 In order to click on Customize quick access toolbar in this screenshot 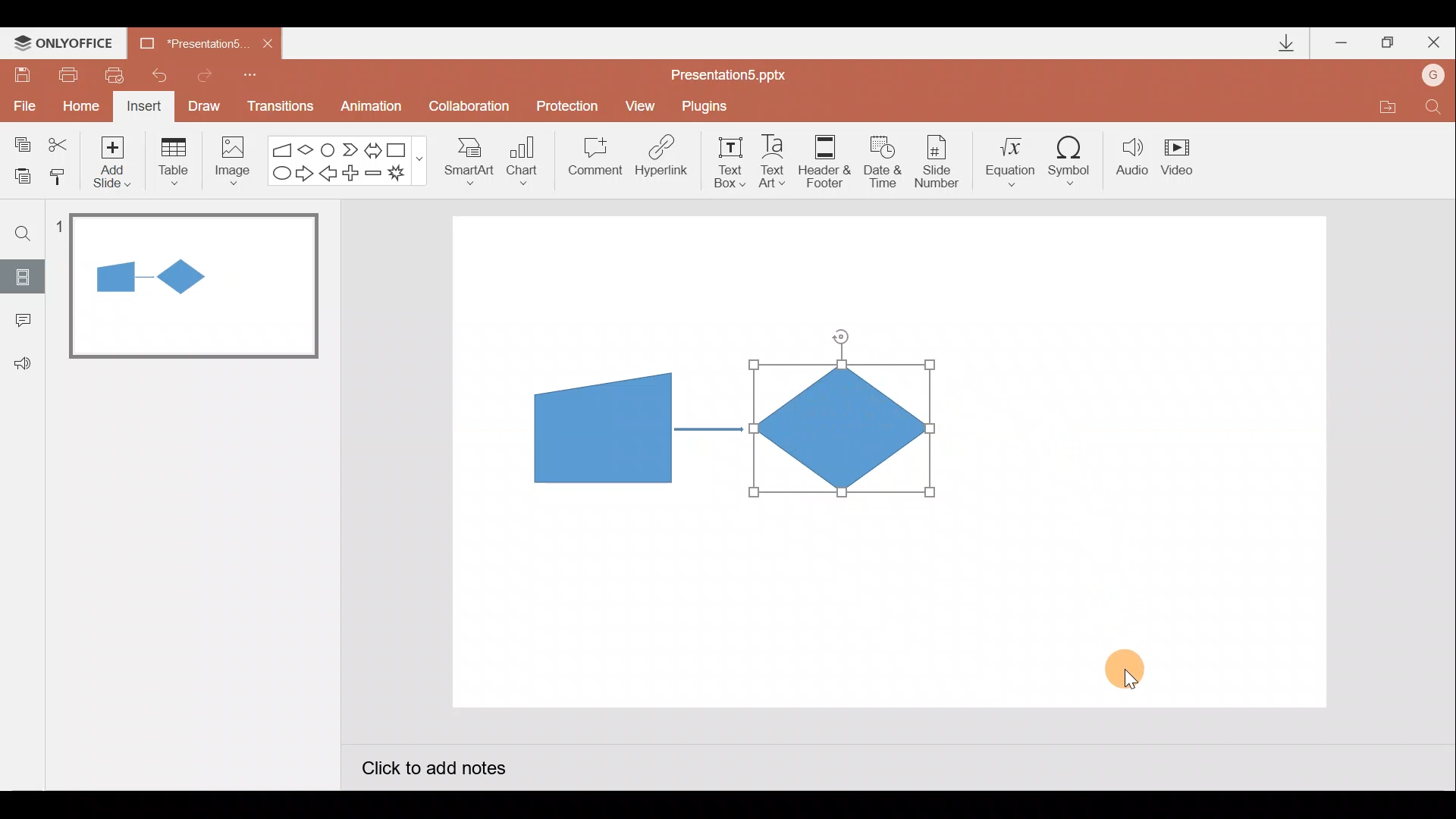, I will do `click(250, 73)`.